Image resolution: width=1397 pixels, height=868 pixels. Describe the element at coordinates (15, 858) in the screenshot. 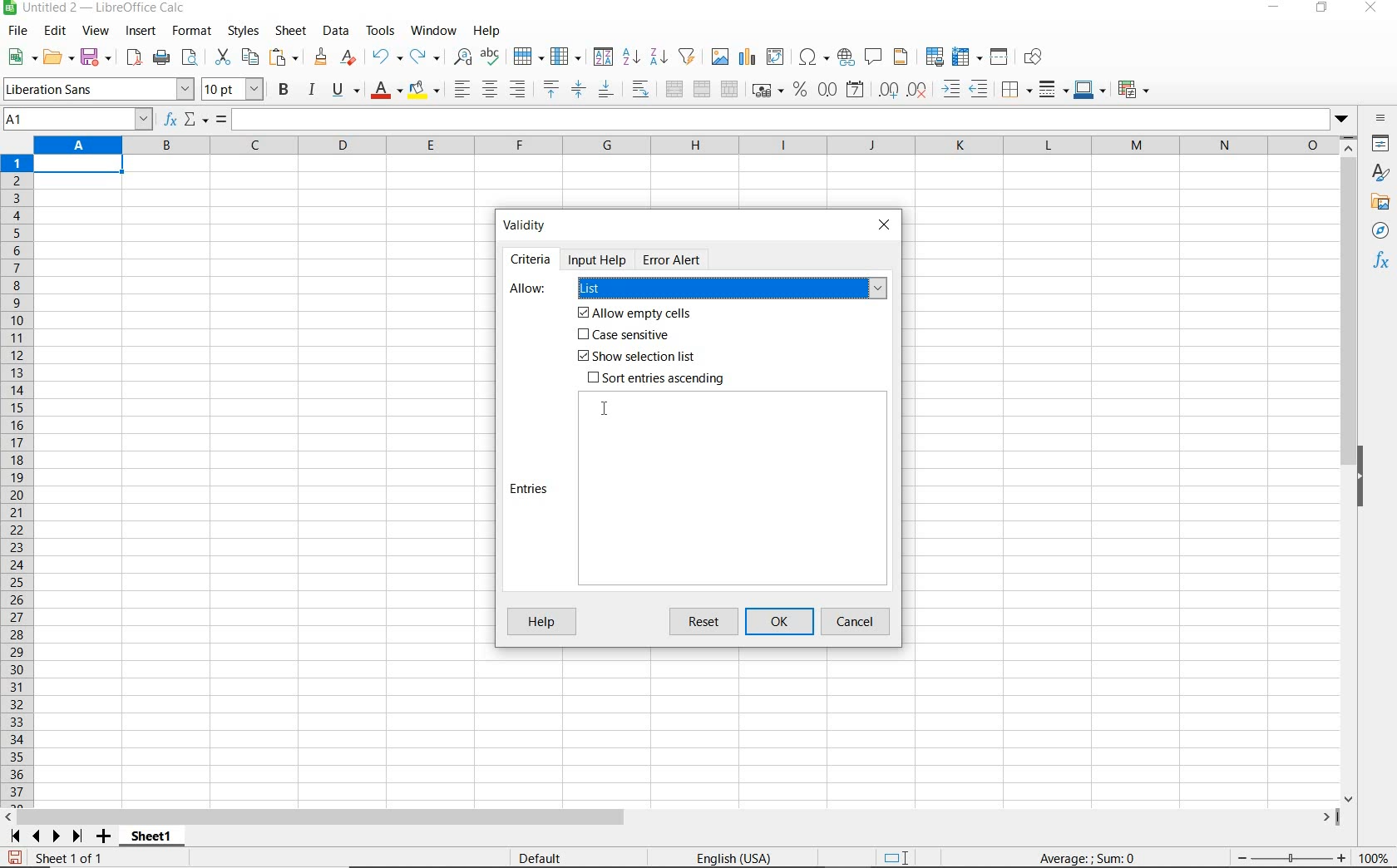

I see `save` at that location.